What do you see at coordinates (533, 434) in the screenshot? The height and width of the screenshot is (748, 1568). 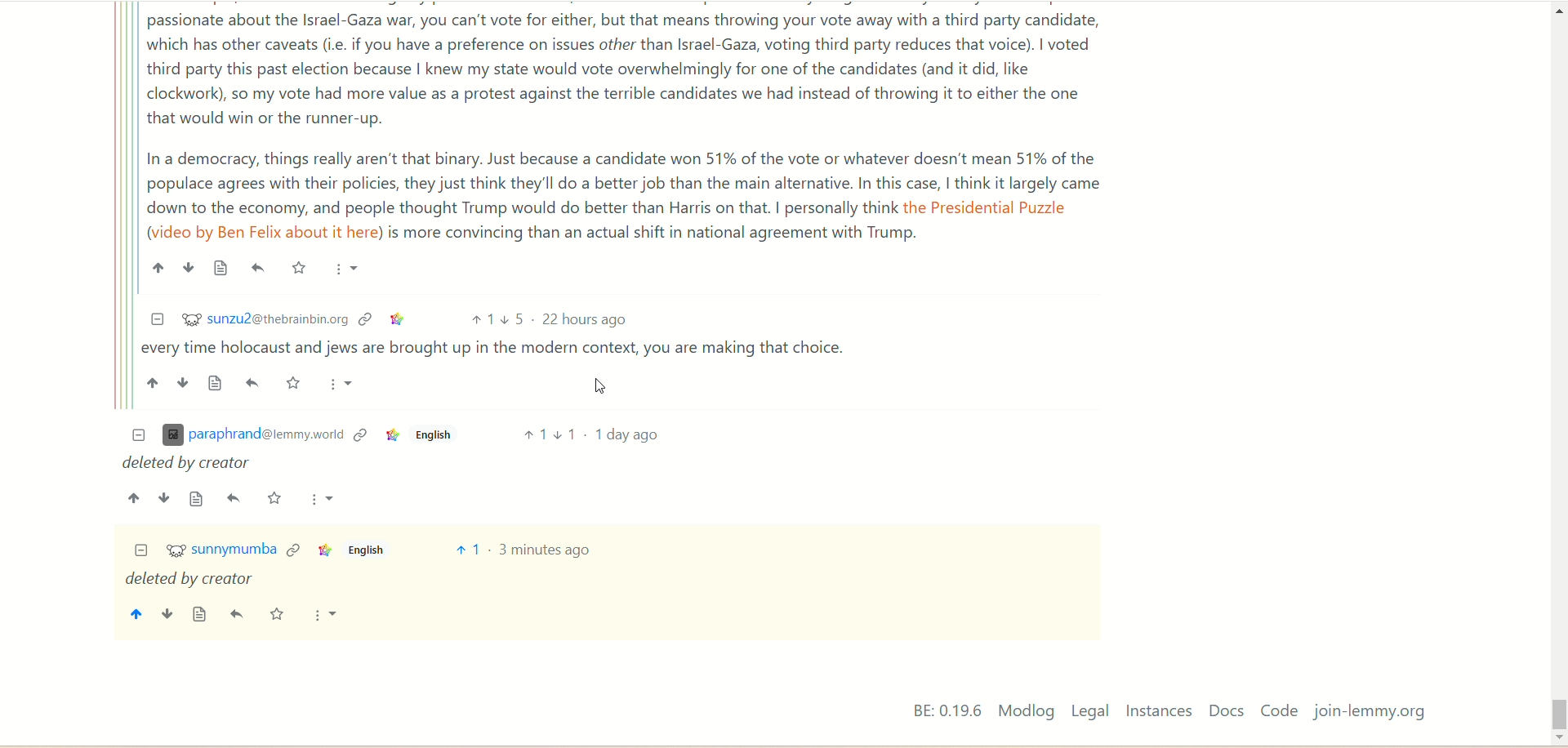 I see ` Upvote 1` at bounding box center [533, 434].